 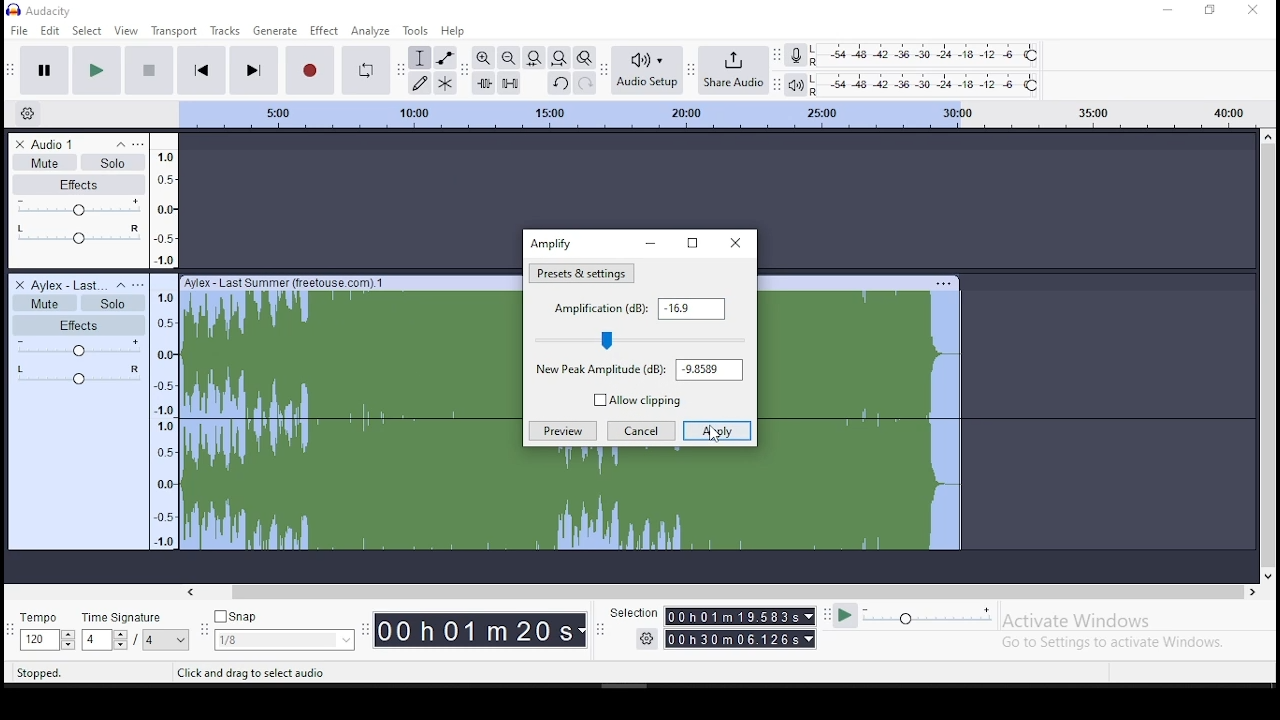 What do you see at coordinates (724, 591) in the screenshot?
I see `scroll bar` at bounding box center [724, 591].